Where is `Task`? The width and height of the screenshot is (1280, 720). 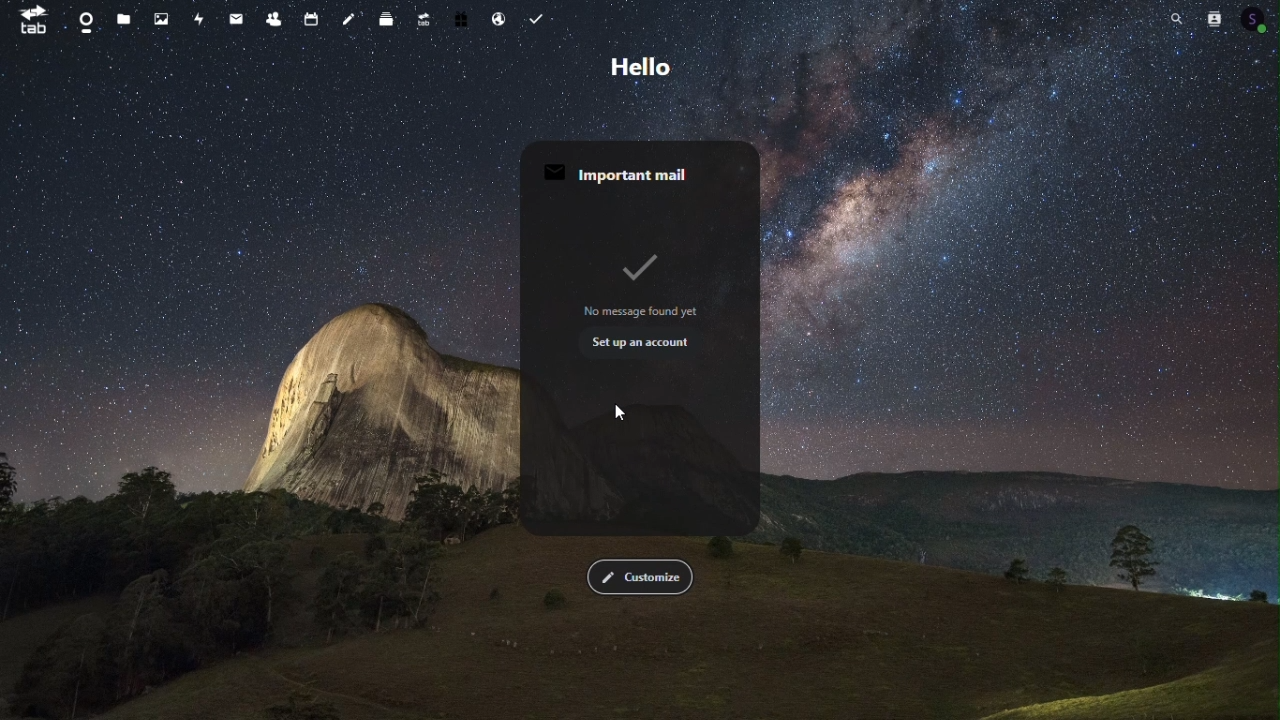
Task is located at coordinates (539, 19).